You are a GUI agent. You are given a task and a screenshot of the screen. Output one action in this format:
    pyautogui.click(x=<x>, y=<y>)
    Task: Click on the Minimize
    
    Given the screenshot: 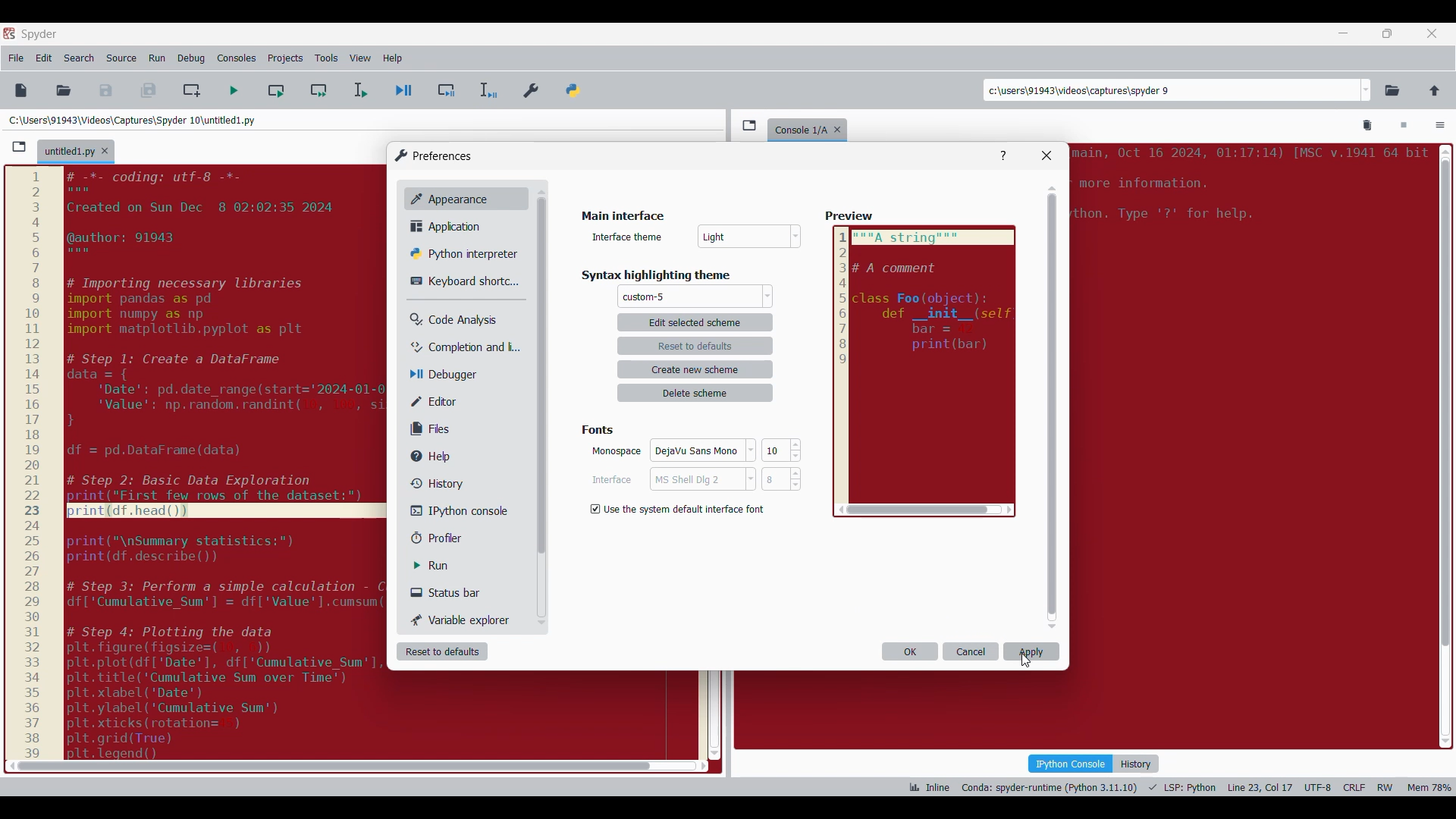 What is the action you would take?
    pyautogui.click(x=1344, y=33)
    